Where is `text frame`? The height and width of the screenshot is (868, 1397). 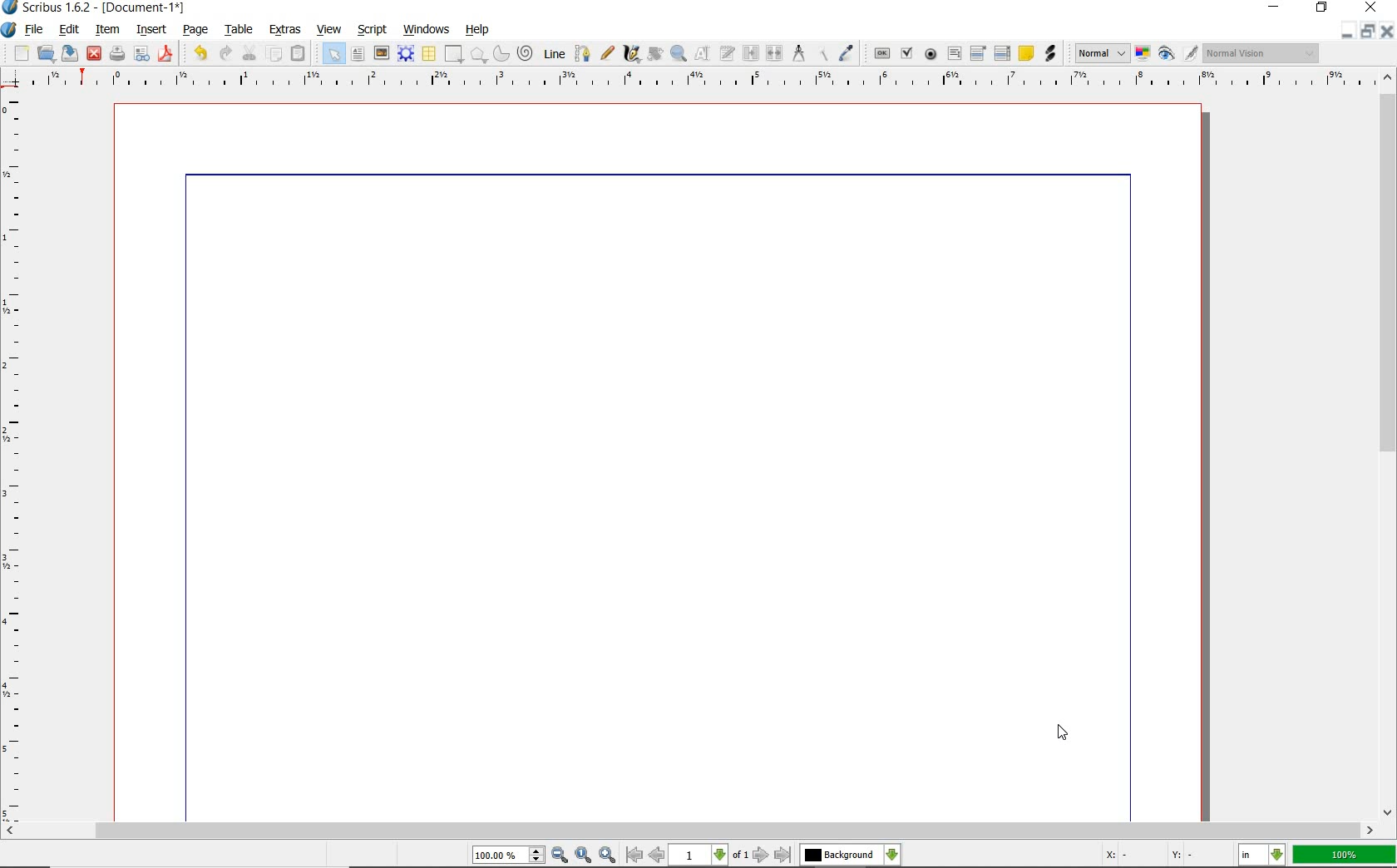
text frame is located at coordinates (358, 54).